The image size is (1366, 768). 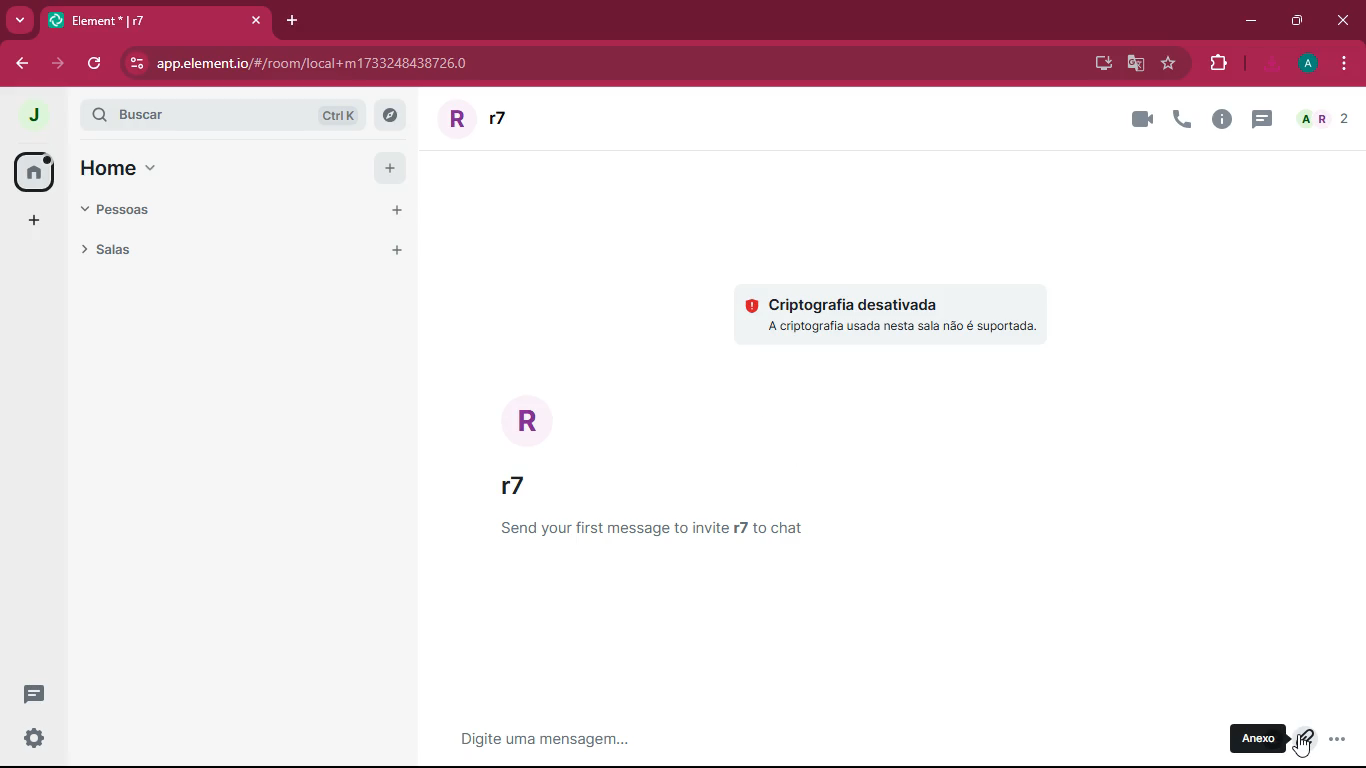 What do you see at coordinates (18, 65) in the screenshot?
I see `back` at bounding box center [18, 65].